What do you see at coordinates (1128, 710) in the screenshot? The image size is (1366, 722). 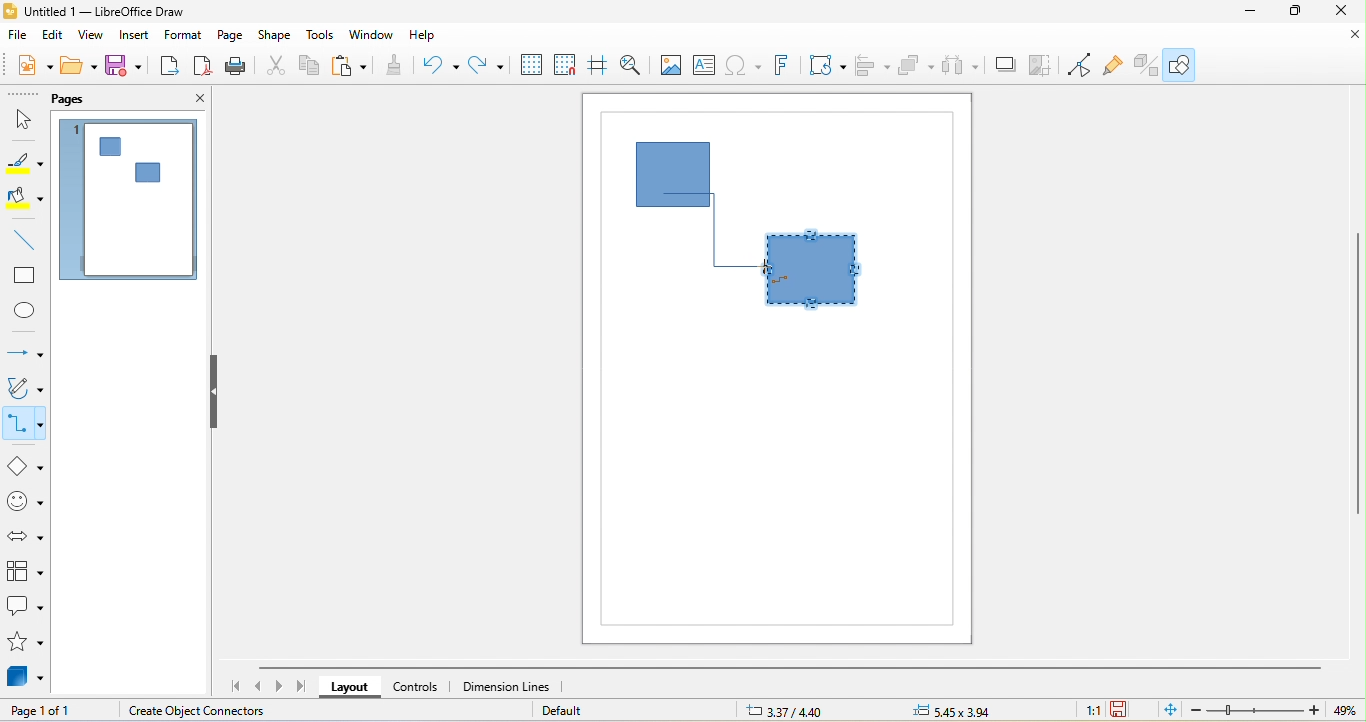 I see `the document has not been modified since the last save` at bounding box center [1128, 710].